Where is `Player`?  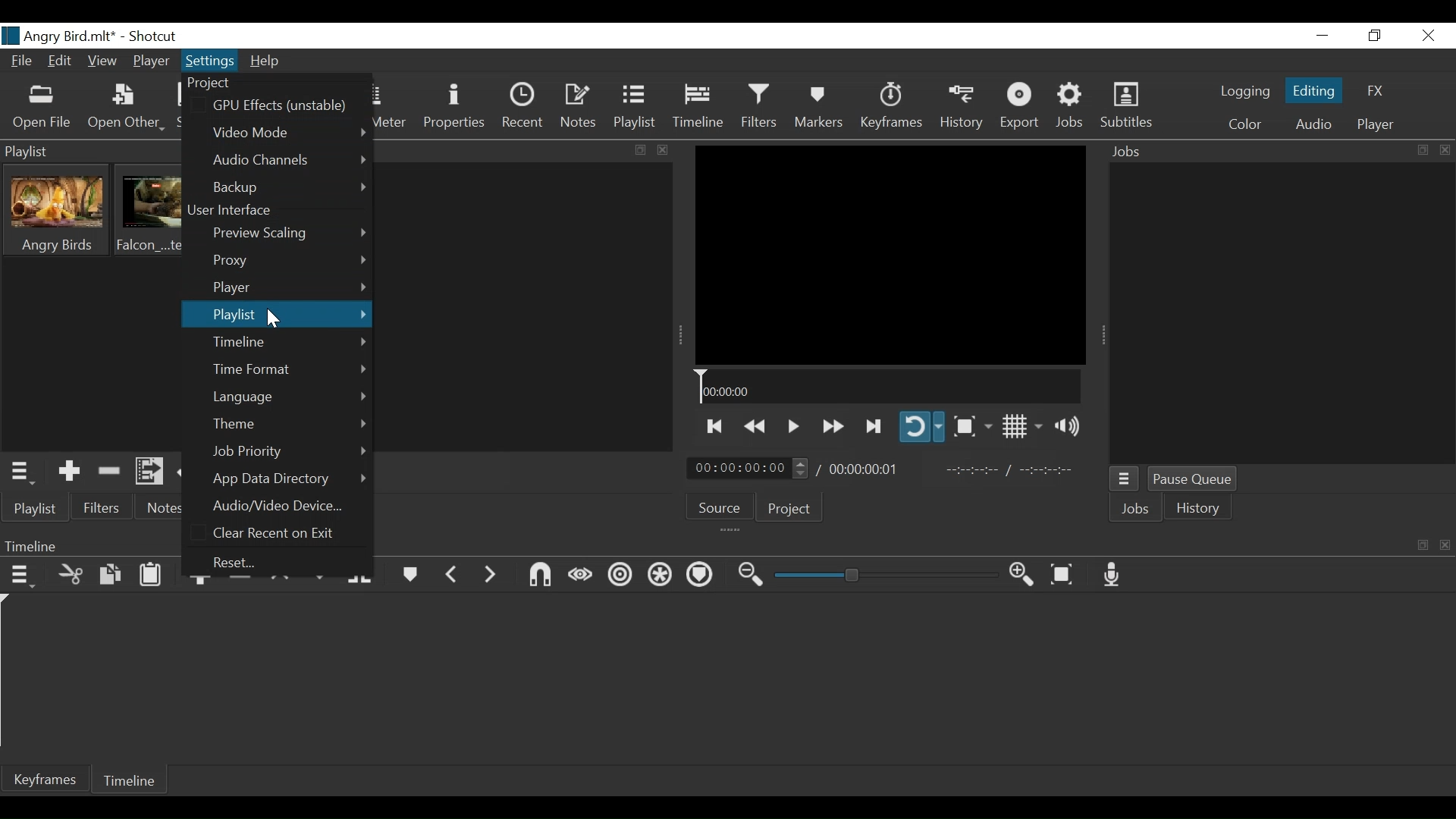 Player is located at coordinates (151, 61).